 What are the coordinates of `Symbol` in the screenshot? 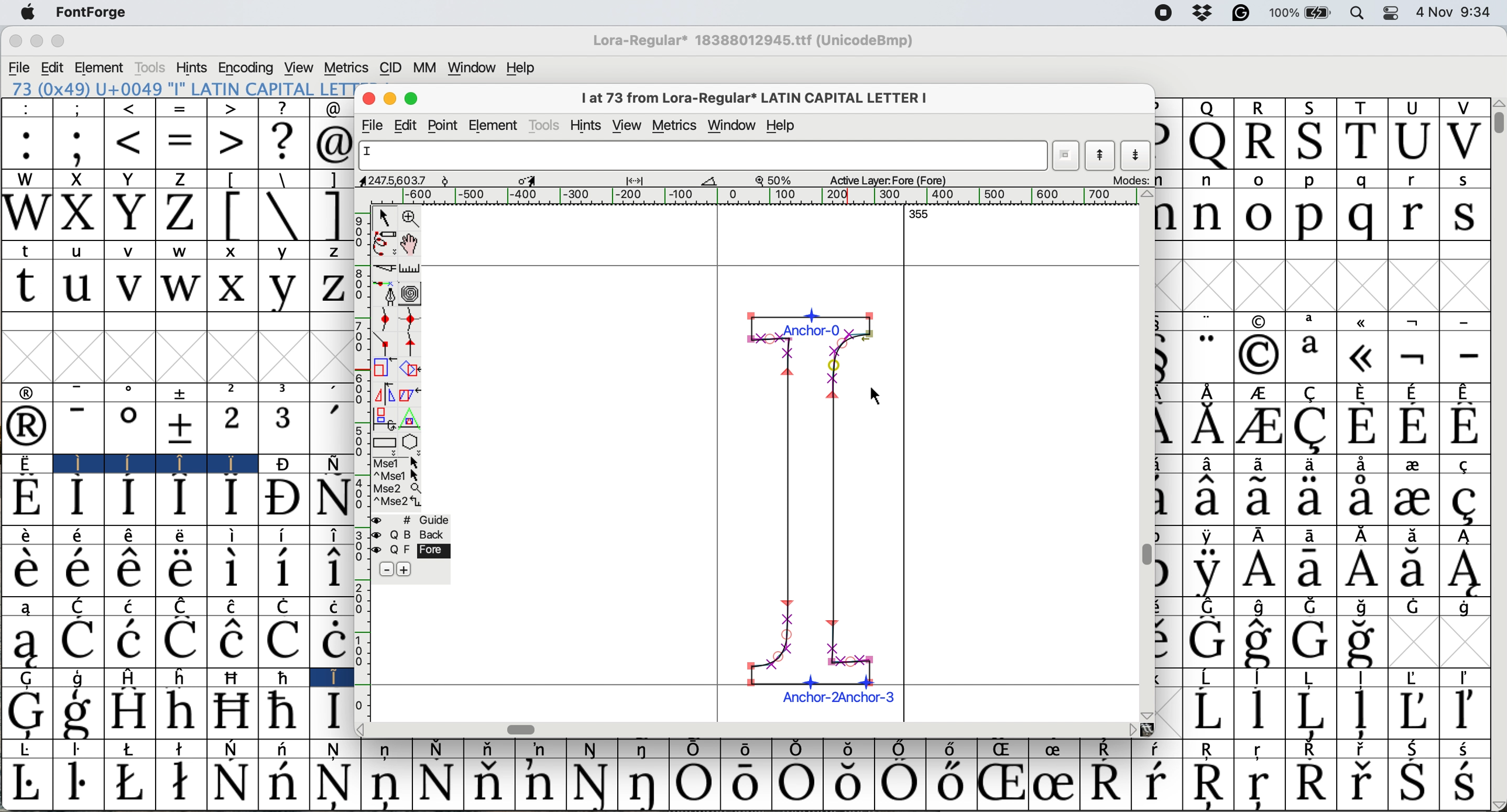 It's located at (80, 750).